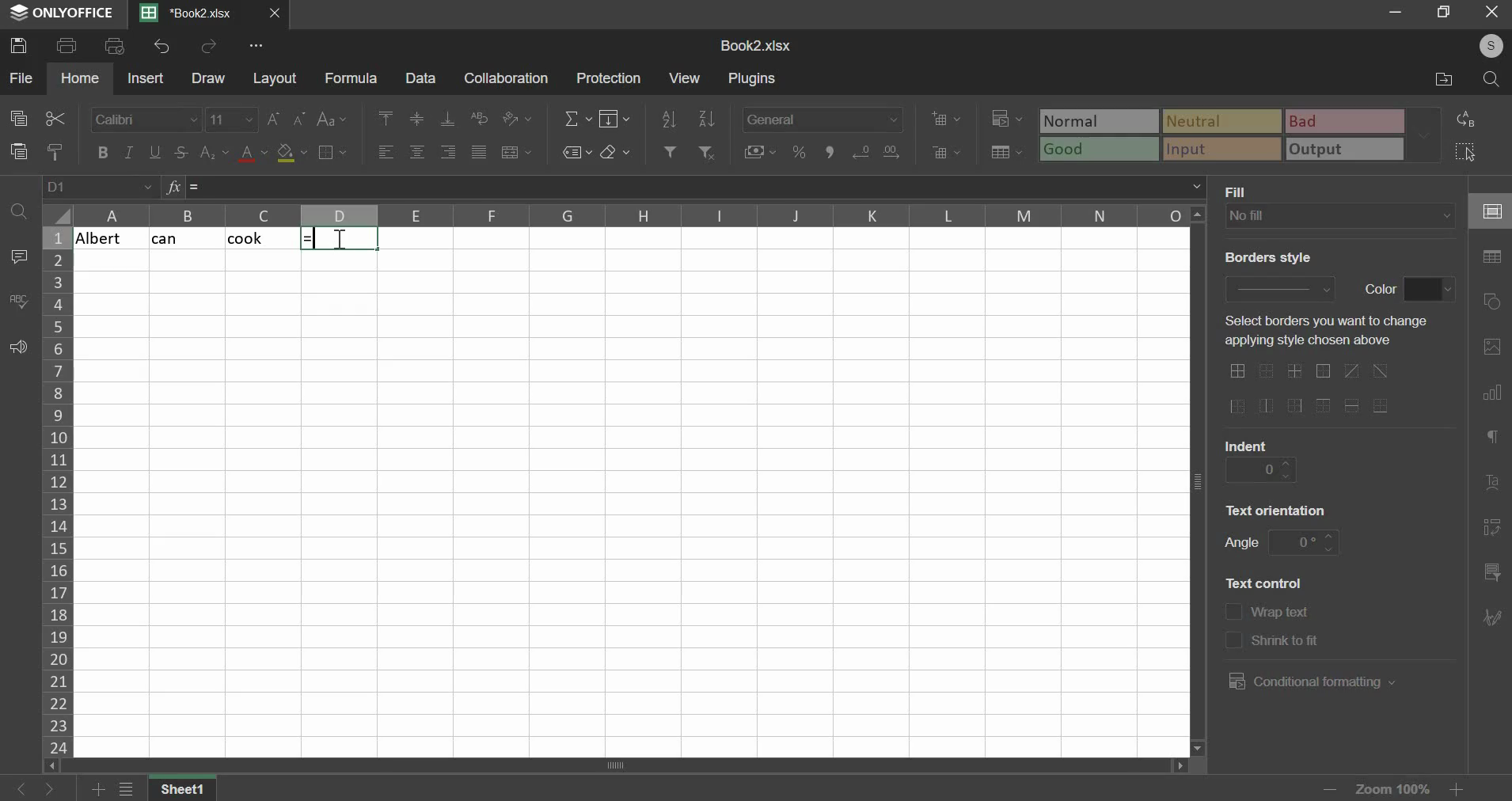  Describe the element at coordinates (1430, 290) in the screenshot. I see `border color` at that location.